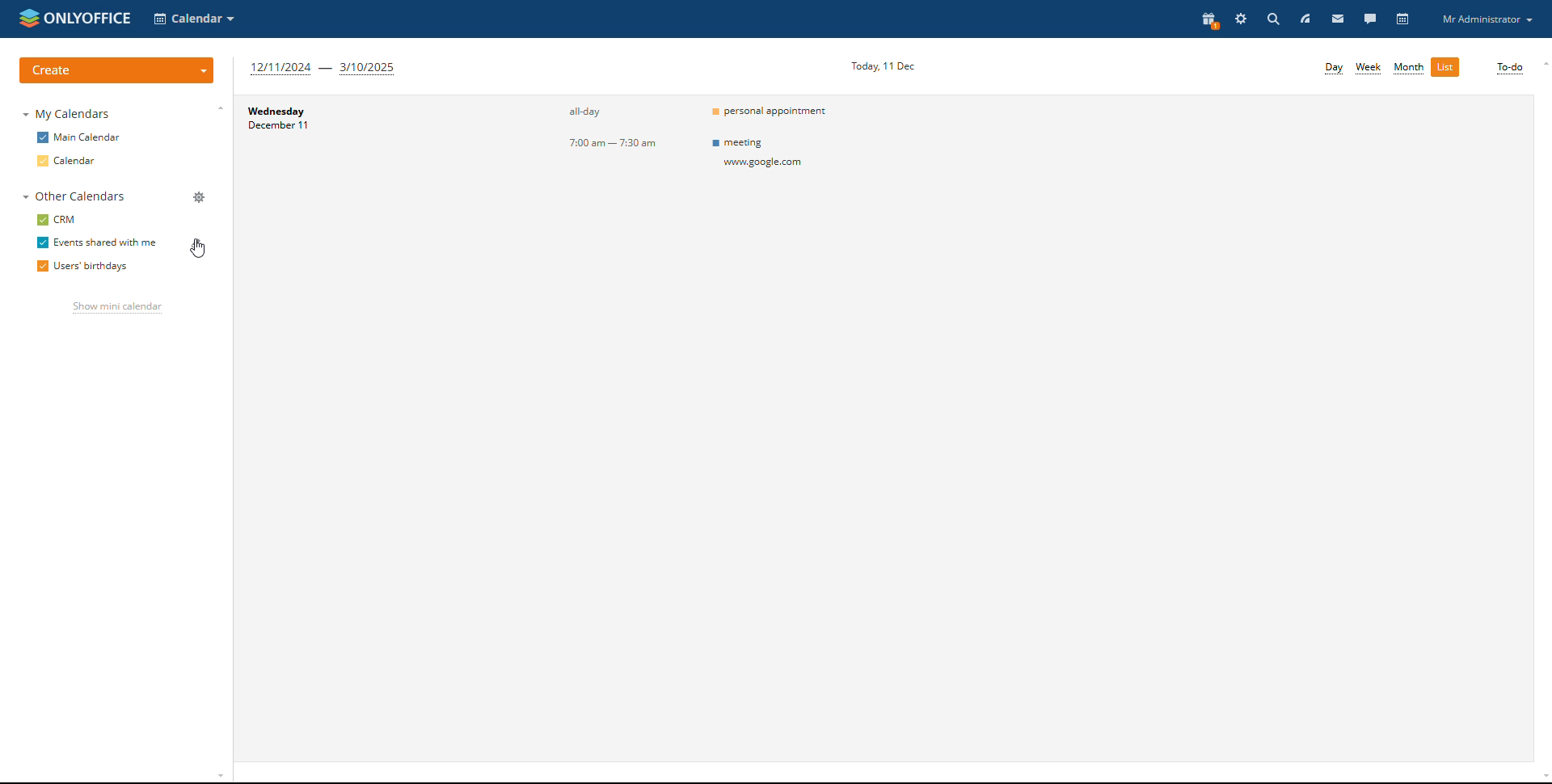 This screenshot has height=784, width=1552. Describe the element at coordinates (1271, 18) in the screenshot. I see `search` at that location.